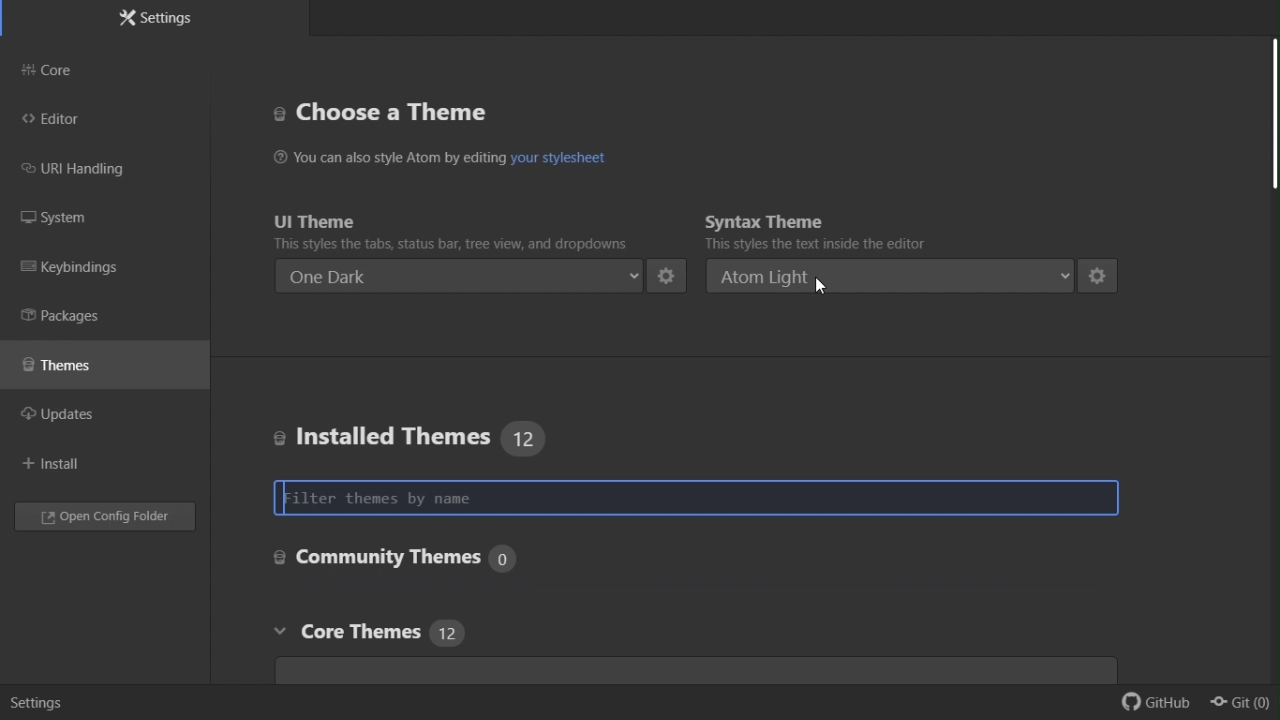 The image size is (1280, 720). Describe the element at coordinates (687, 650) in the screenshot. I see `Core themes` at that location.